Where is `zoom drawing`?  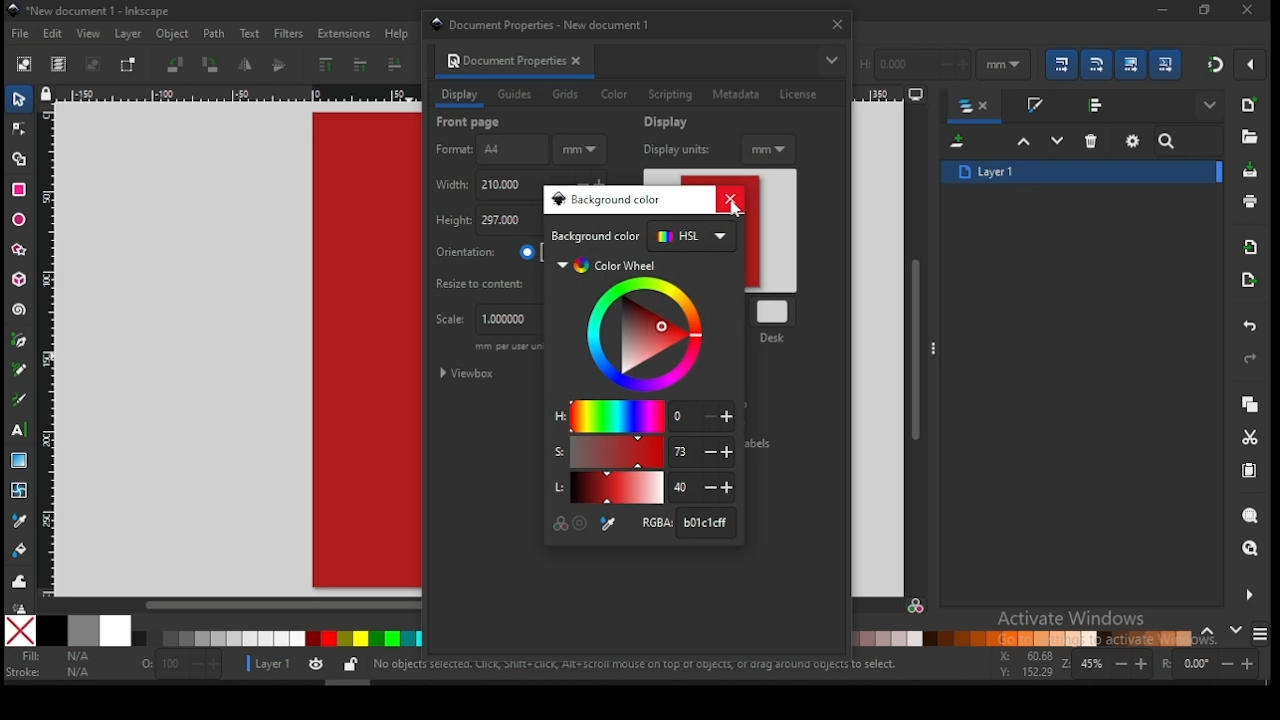
zoom drawing is located at coordinates (1251, 550).